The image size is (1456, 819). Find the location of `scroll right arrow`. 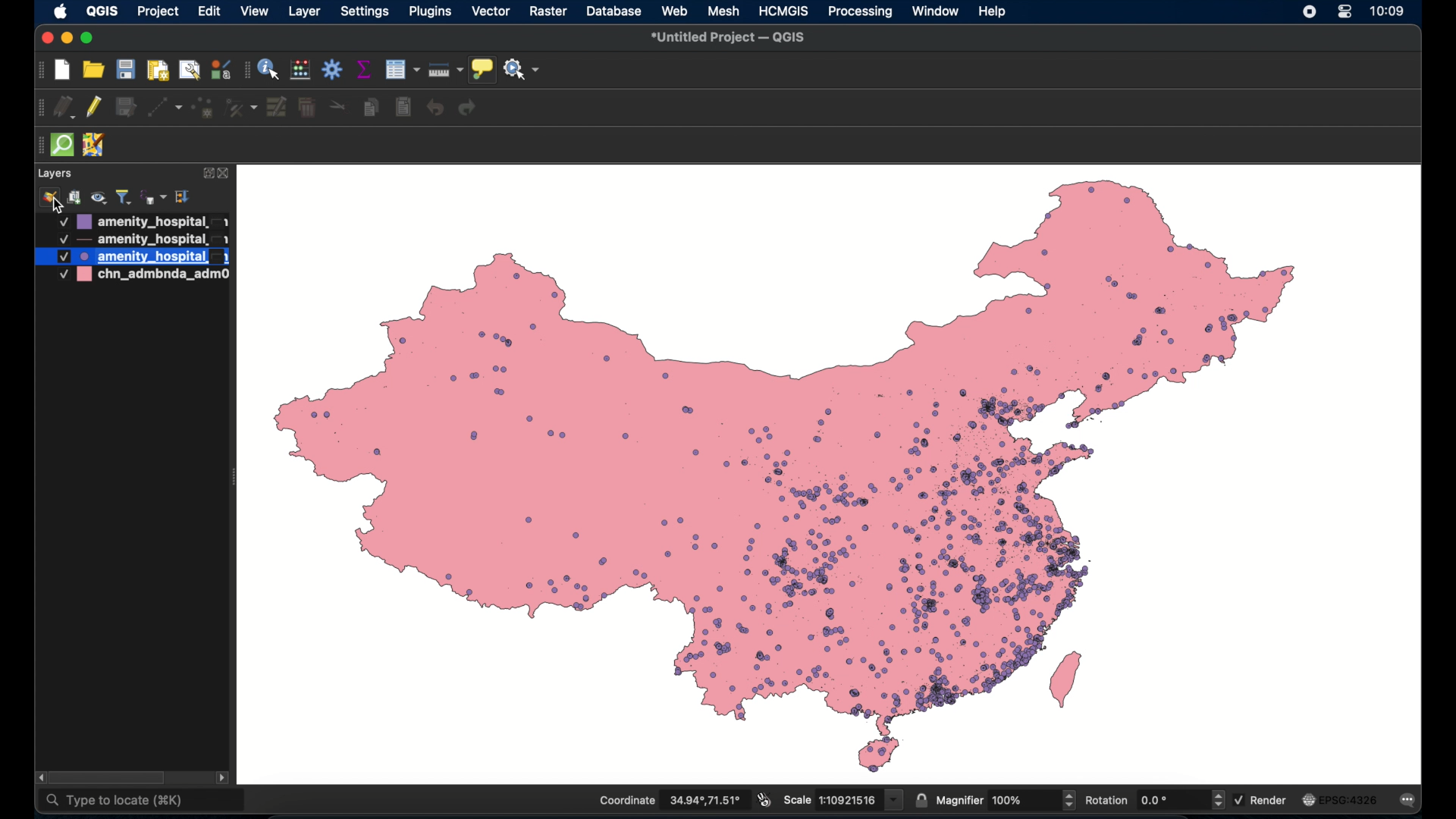

scroll right arrow is located at coordinates (224, 778).